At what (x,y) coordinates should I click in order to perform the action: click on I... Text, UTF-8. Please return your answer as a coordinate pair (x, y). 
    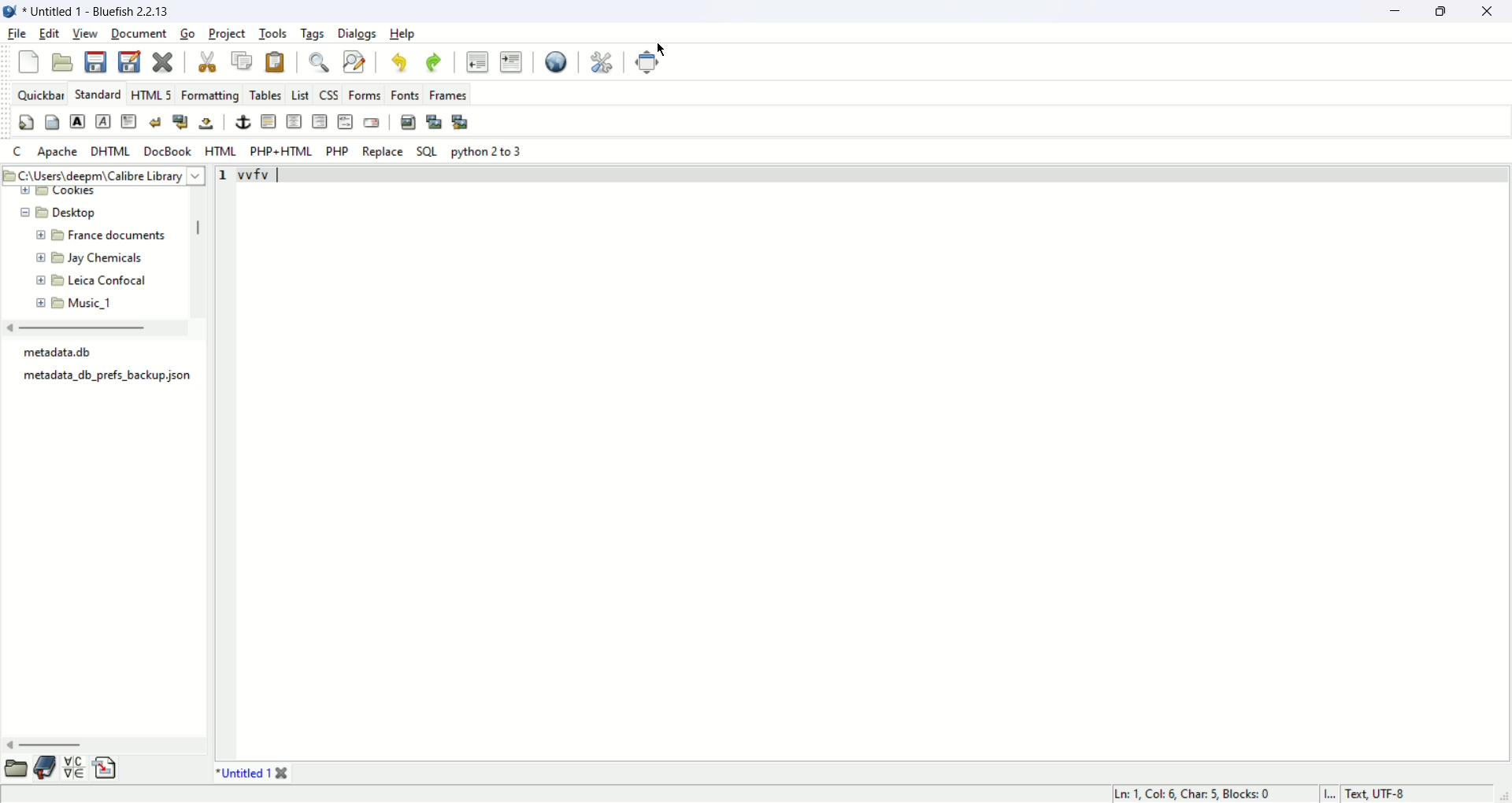
    Looking at the image, I should click on (1365, 794).